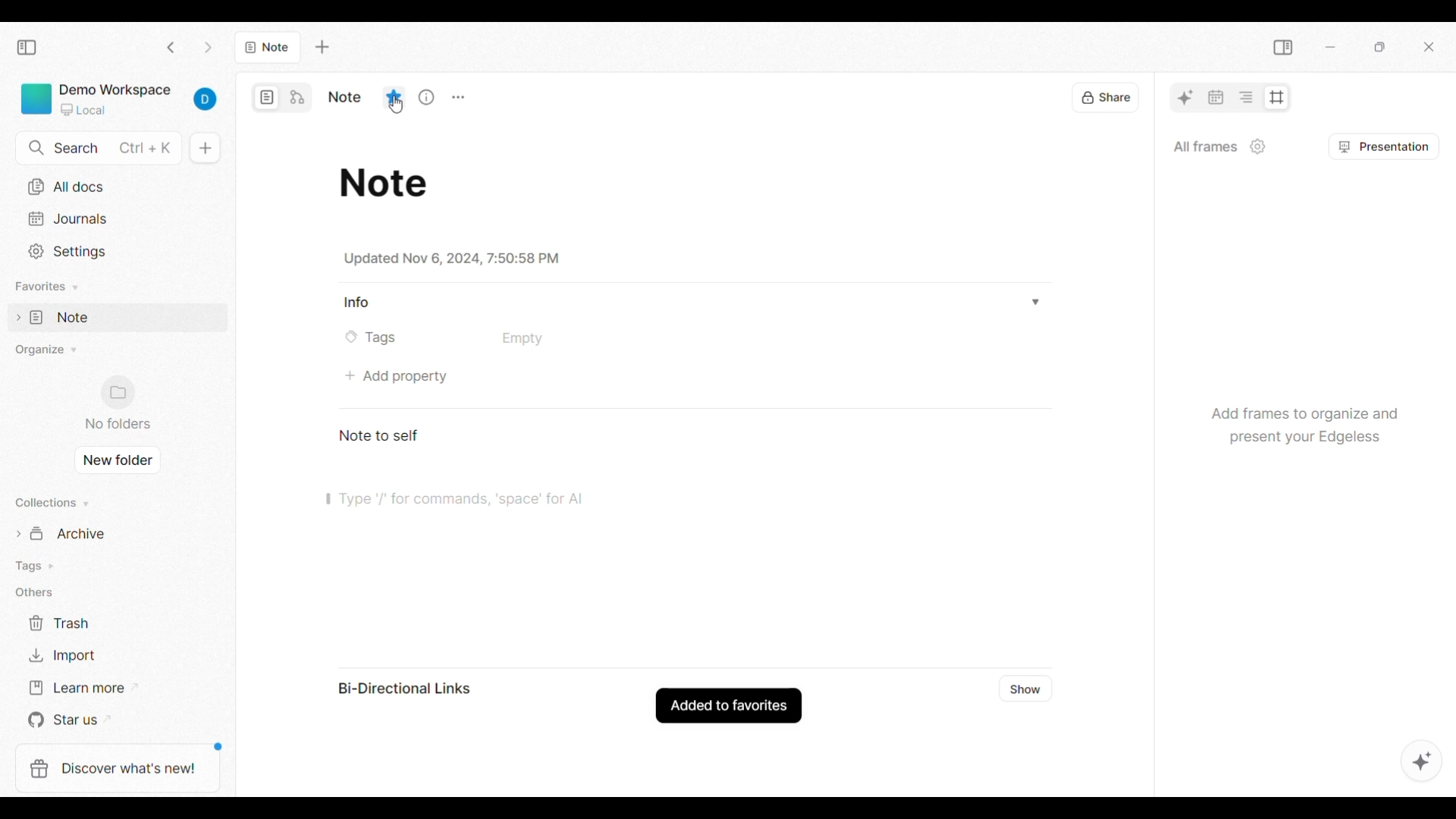 This screenshot has width=1456, height=819. Describe the element at coordinates (1106, 97) in the screenshot. I see `Share workspace with others` at that location.